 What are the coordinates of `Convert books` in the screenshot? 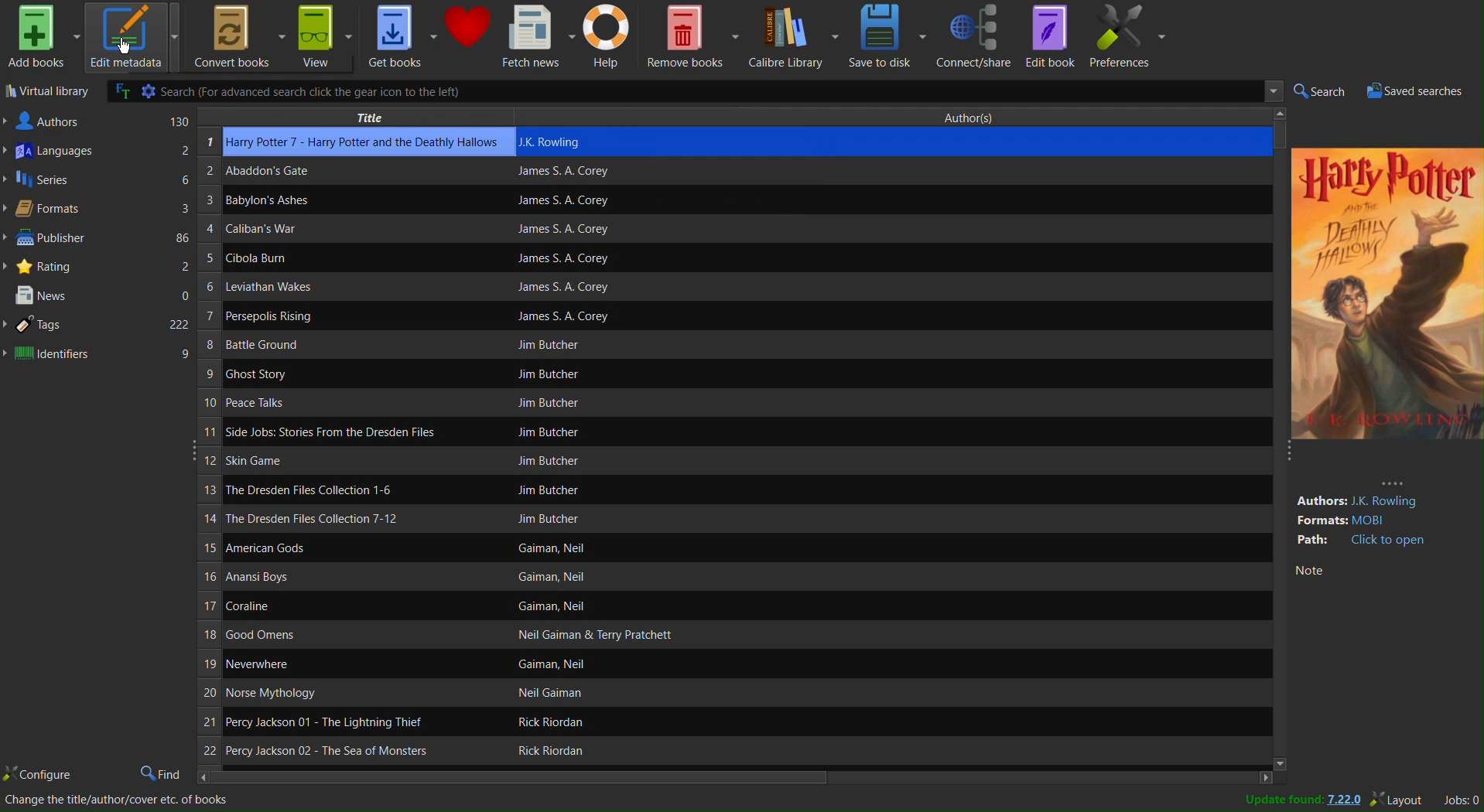 It's located at (235, 36).